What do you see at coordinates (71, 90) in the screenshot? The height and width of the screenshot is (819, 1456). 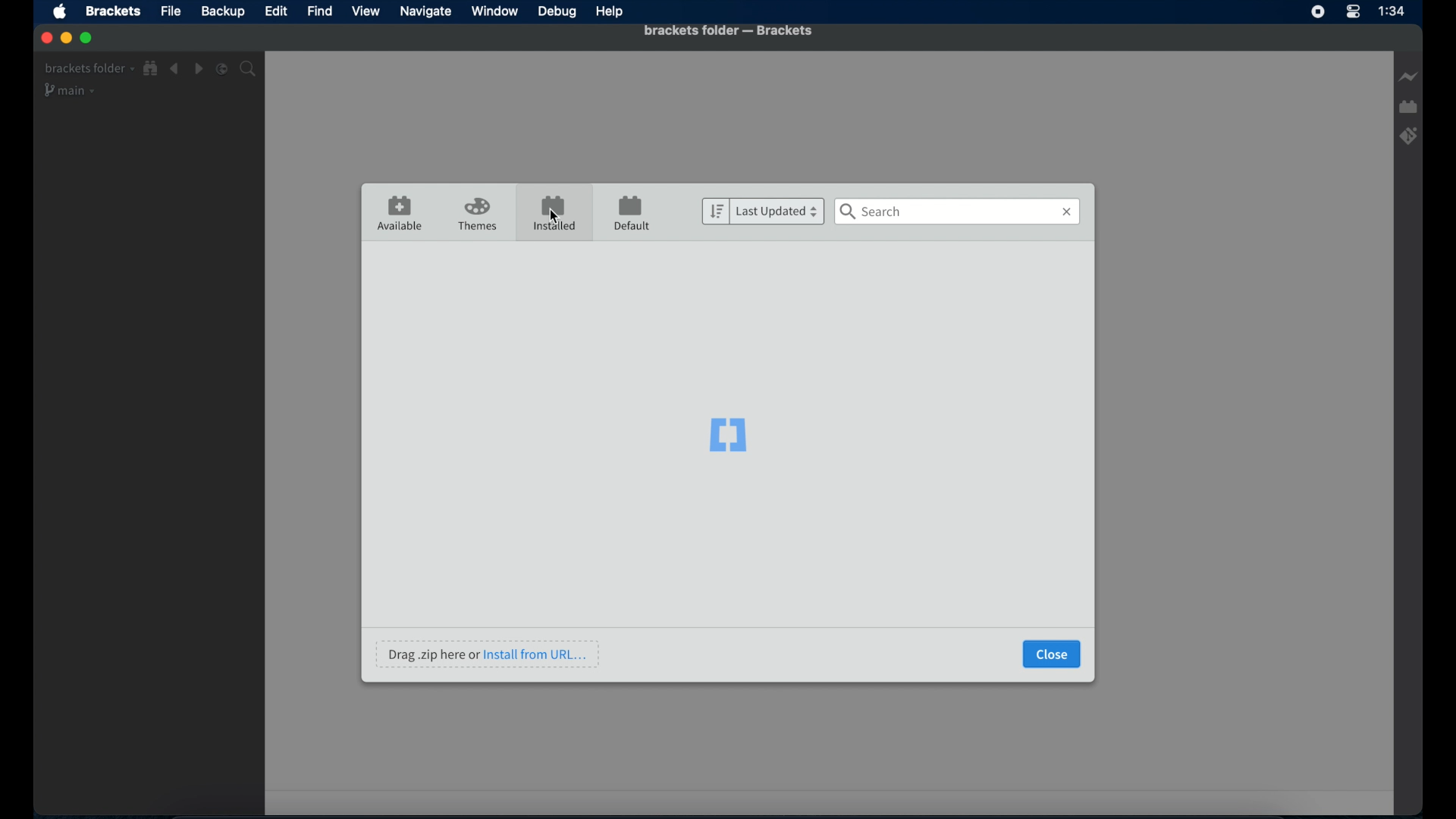 I see `Main` at bounding box center [71, 90].